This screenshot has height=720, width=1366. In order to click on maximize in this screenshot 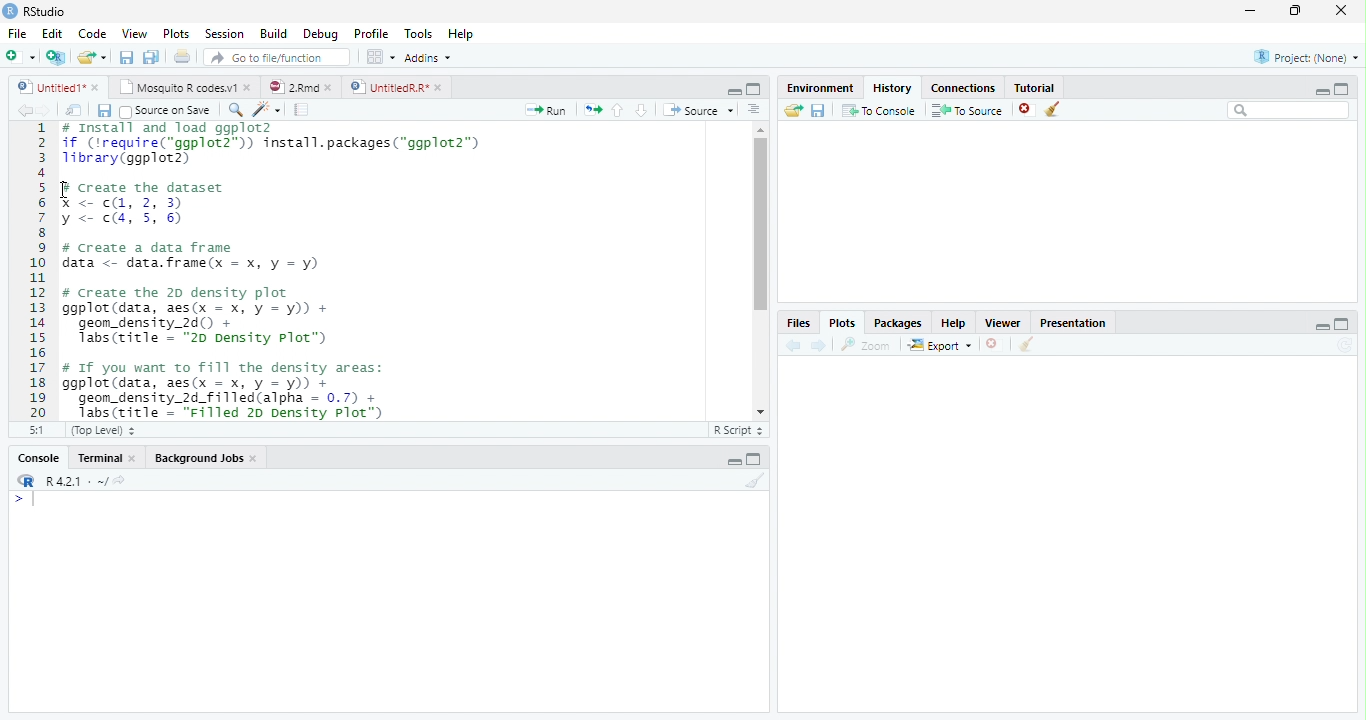, I will do `click(754, 88)`.